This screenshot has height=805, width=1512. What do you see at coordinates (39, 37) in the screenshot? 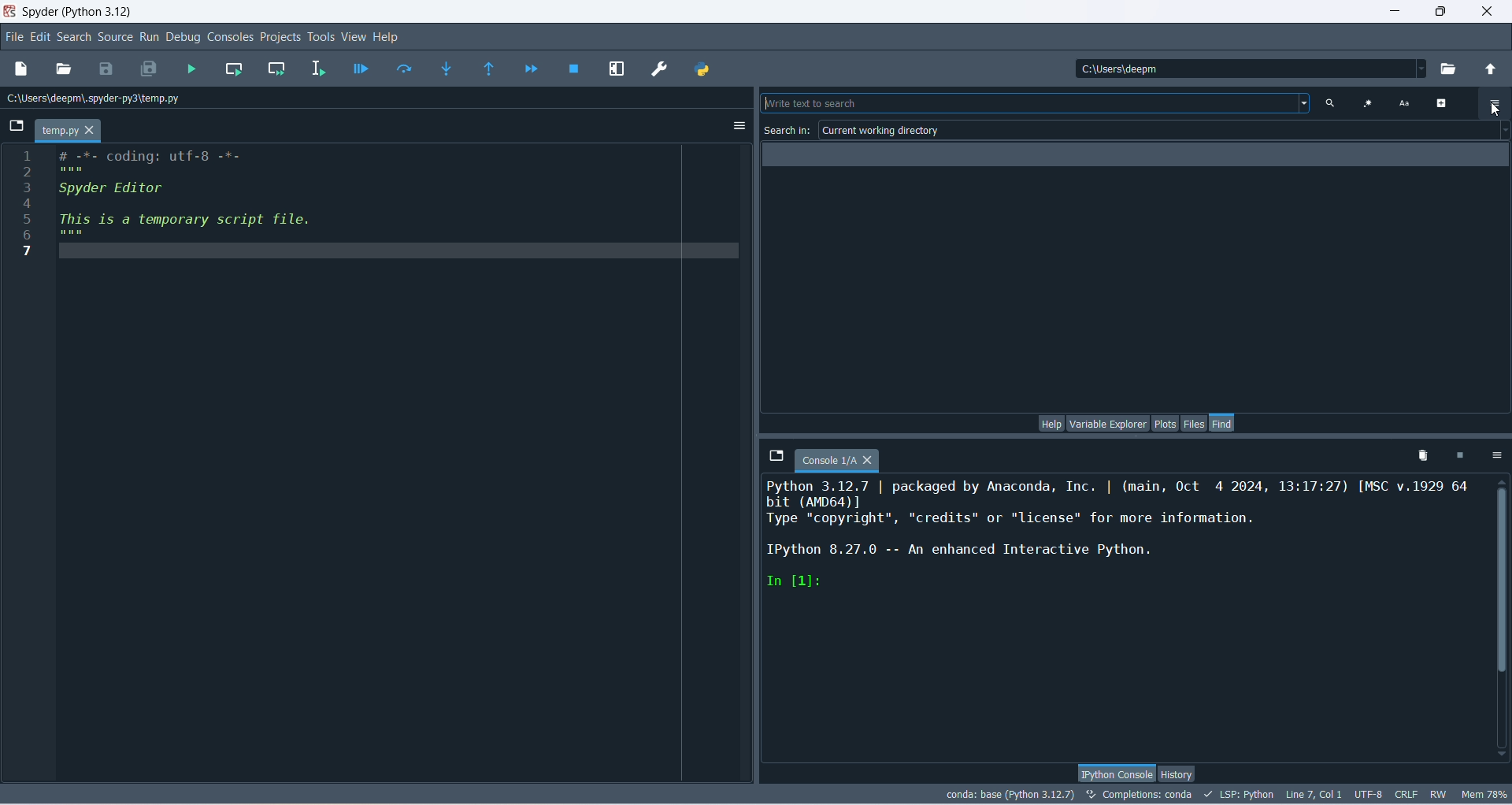
I see `edit` at bounding box center [39, 37].